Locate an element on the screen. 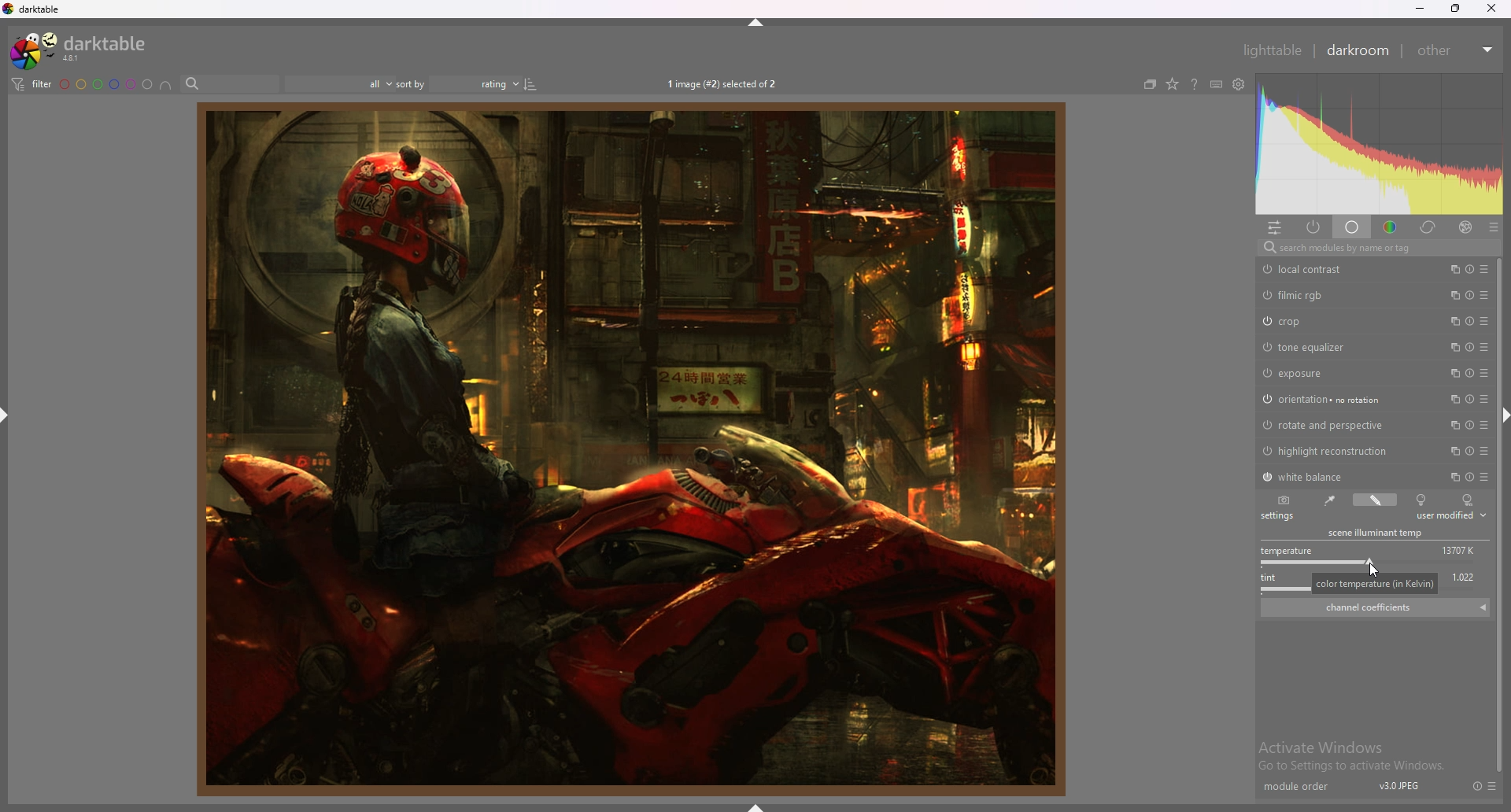 This screenshot has height=812, width=1511. close is located at coordinates (1491, 9).